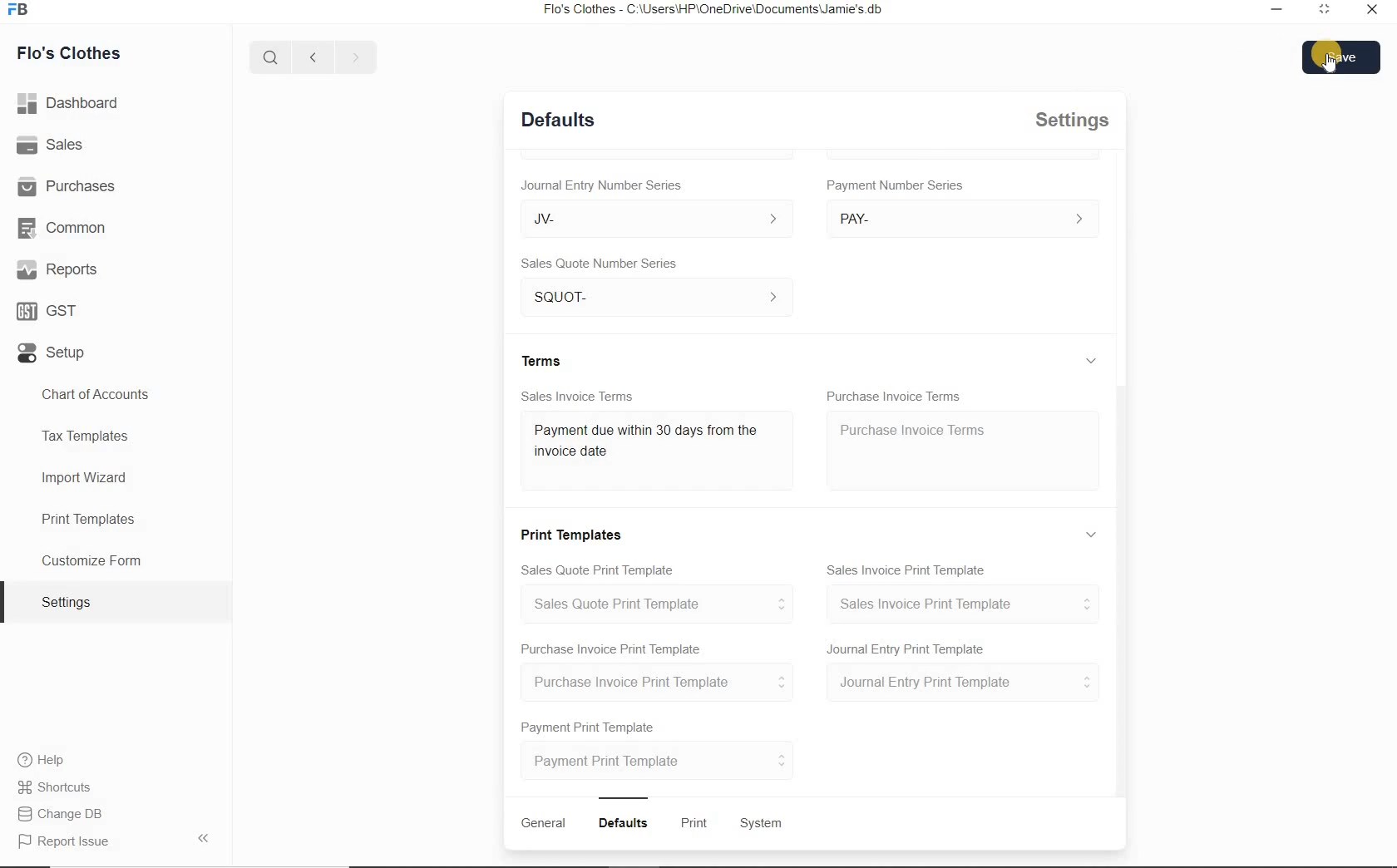  I want to click on Print Templates, so click(116, 518).